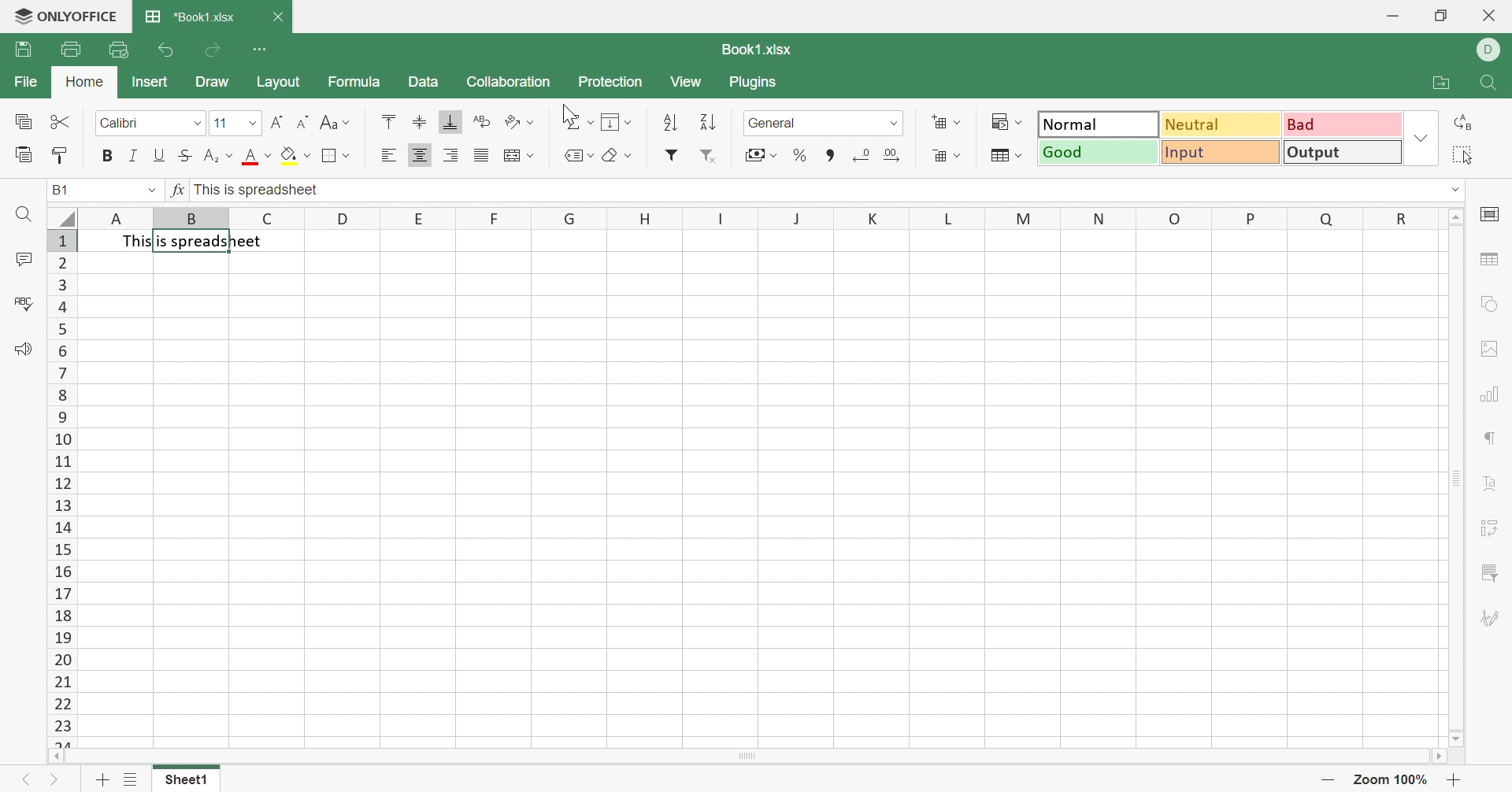  I want to click on Drop Down, so click(347, 155).